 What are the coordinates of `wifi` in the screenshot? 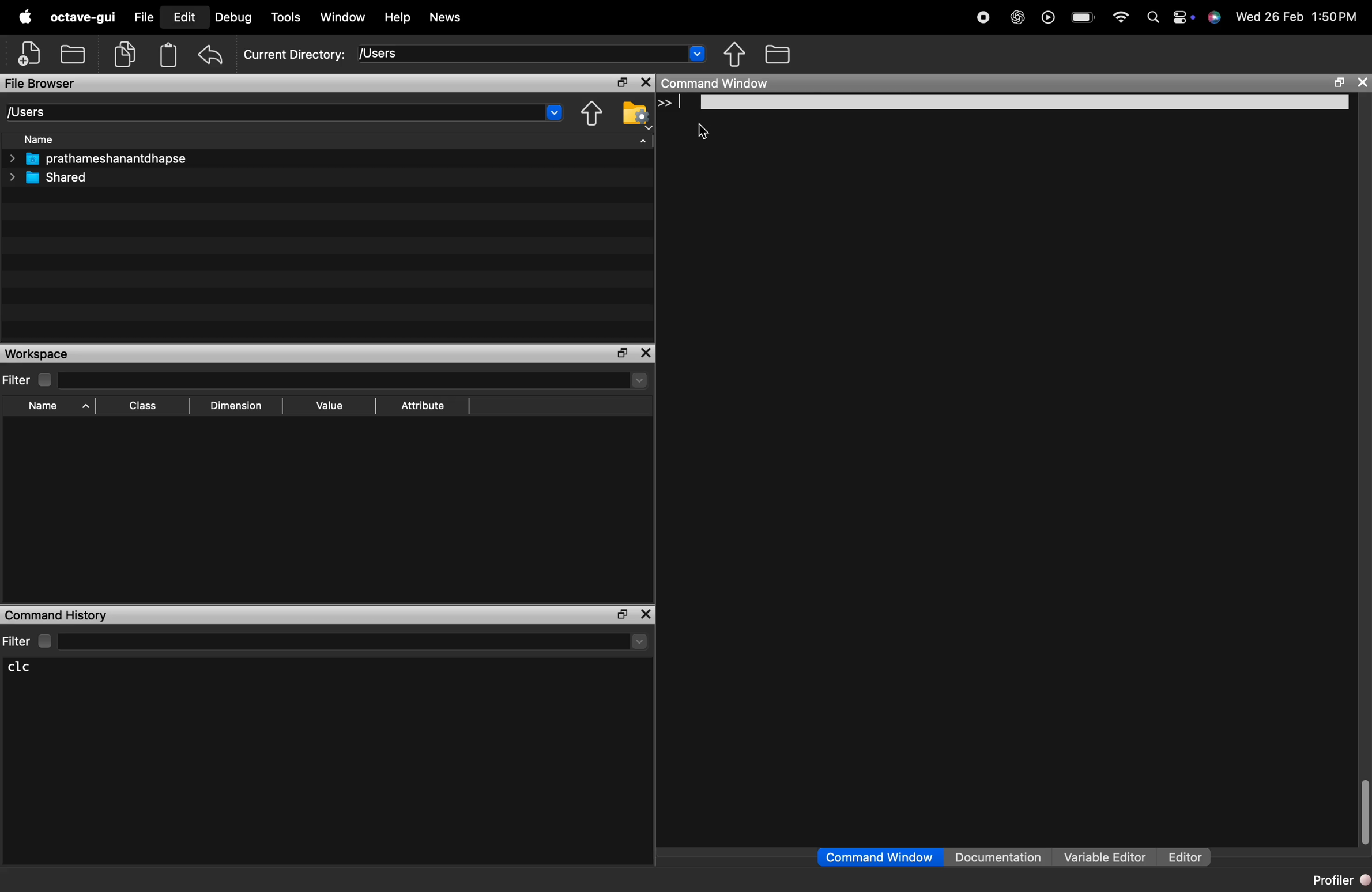 It's located at (1120, 16).